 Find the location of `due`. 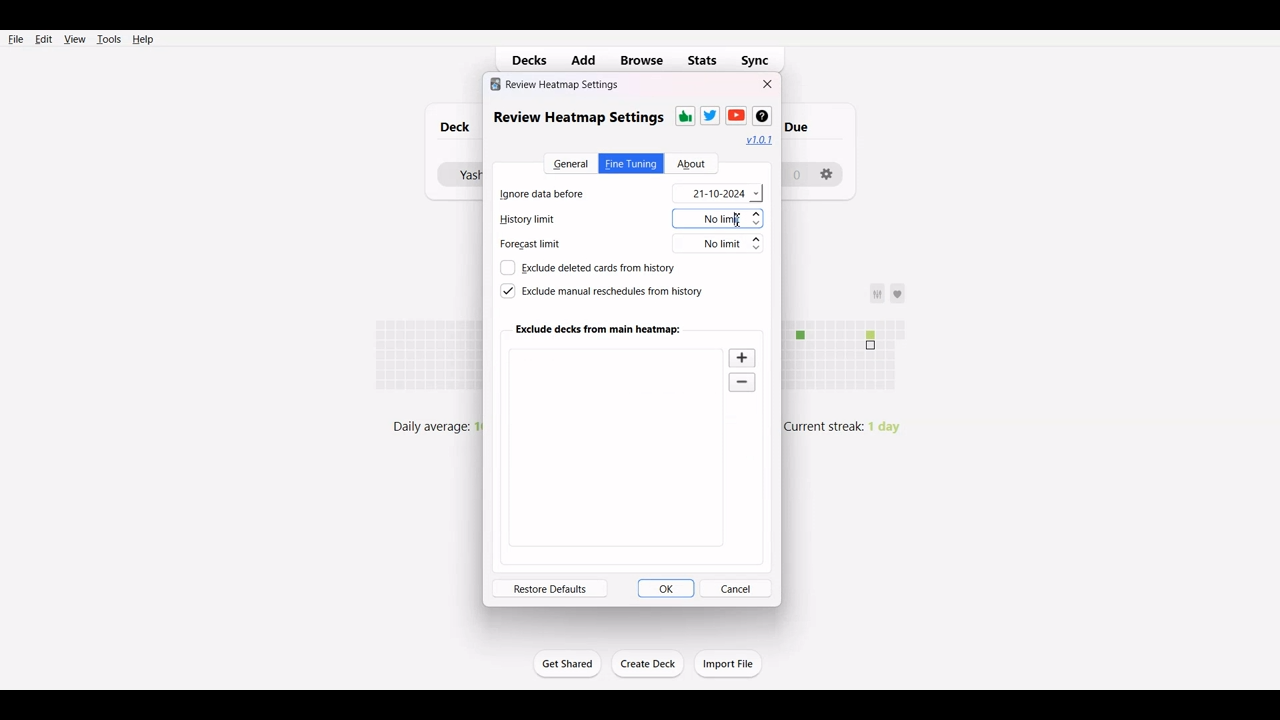

due is located at coordinates (808, 125).